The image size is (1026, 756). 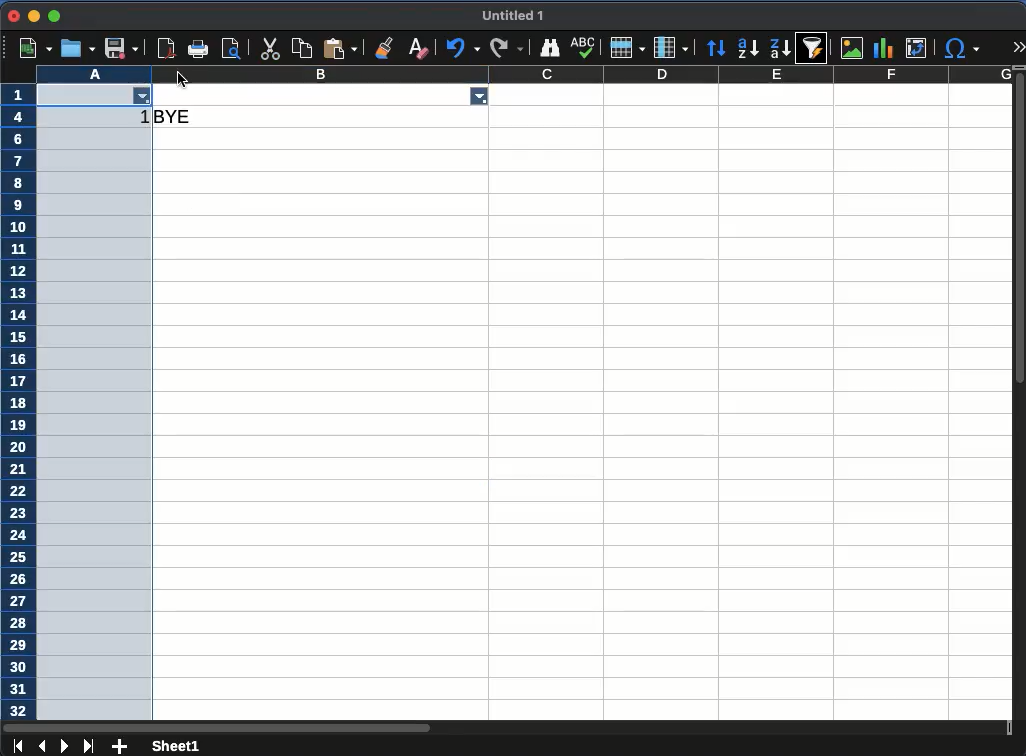 I want to click on maximize, so click(x=56, y=16).